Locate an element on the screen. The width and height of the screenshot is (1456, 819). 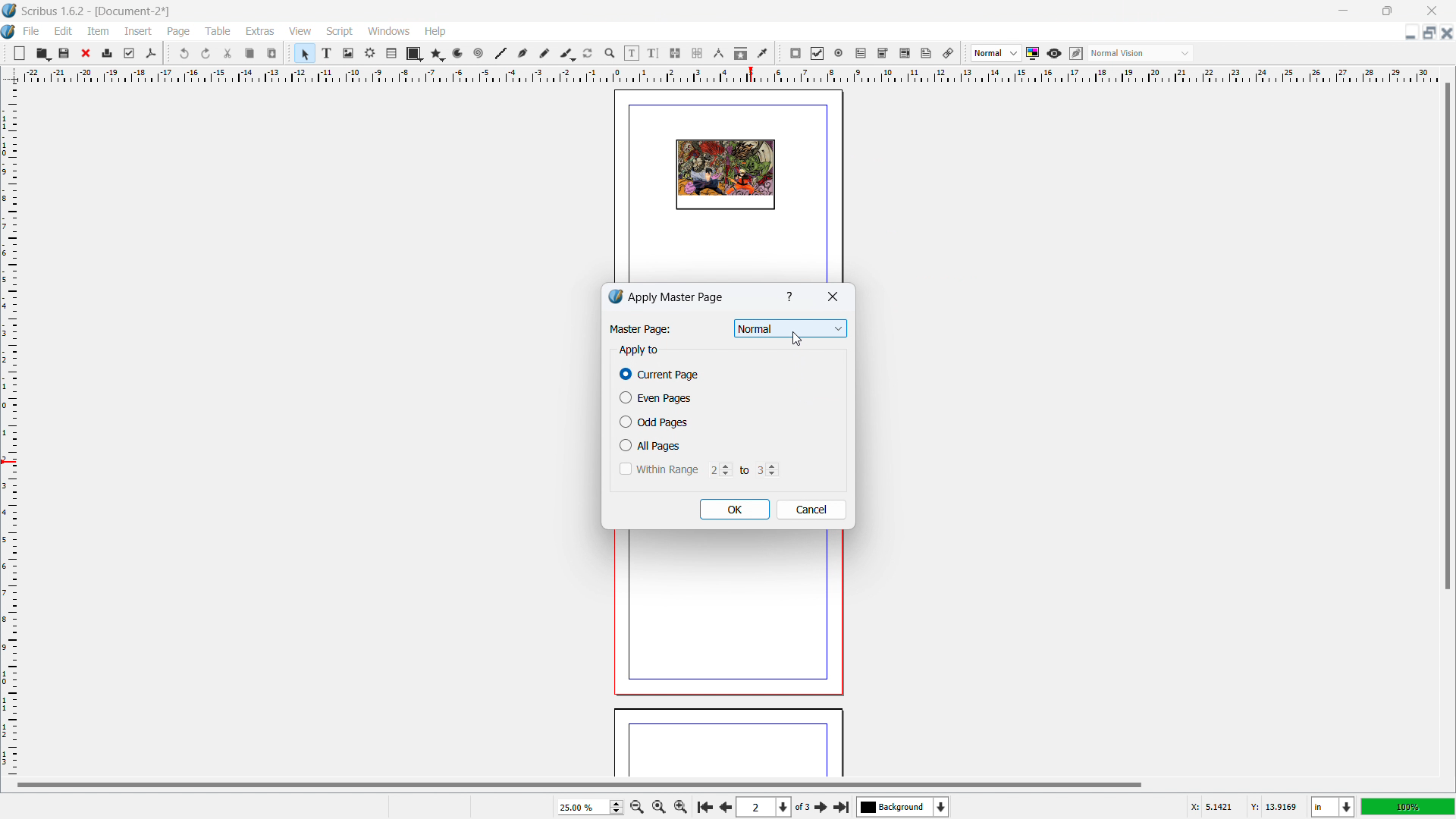
pdf text field is located at coordinates (861, 54).